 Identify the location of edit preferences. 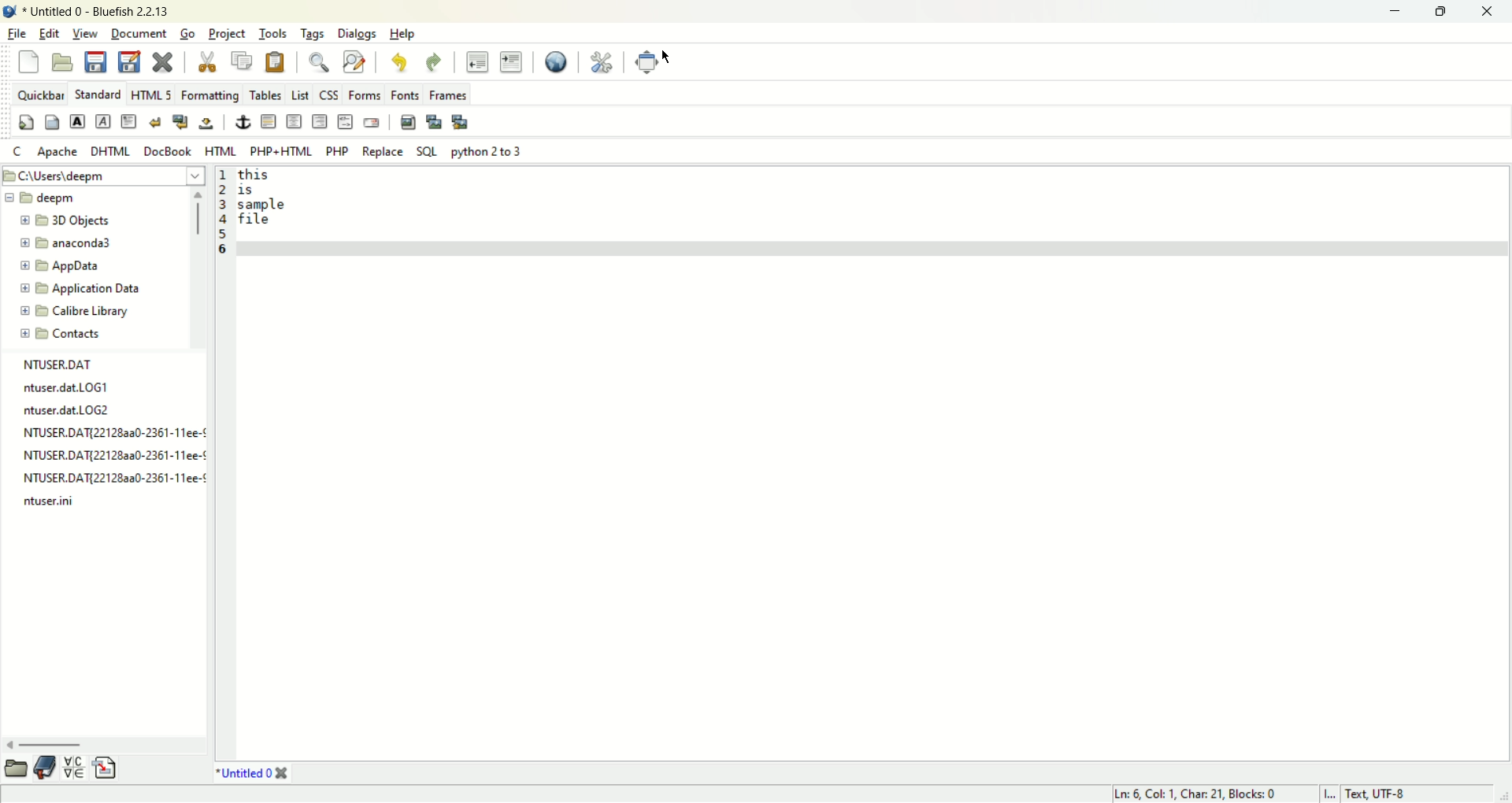
(602, 61).